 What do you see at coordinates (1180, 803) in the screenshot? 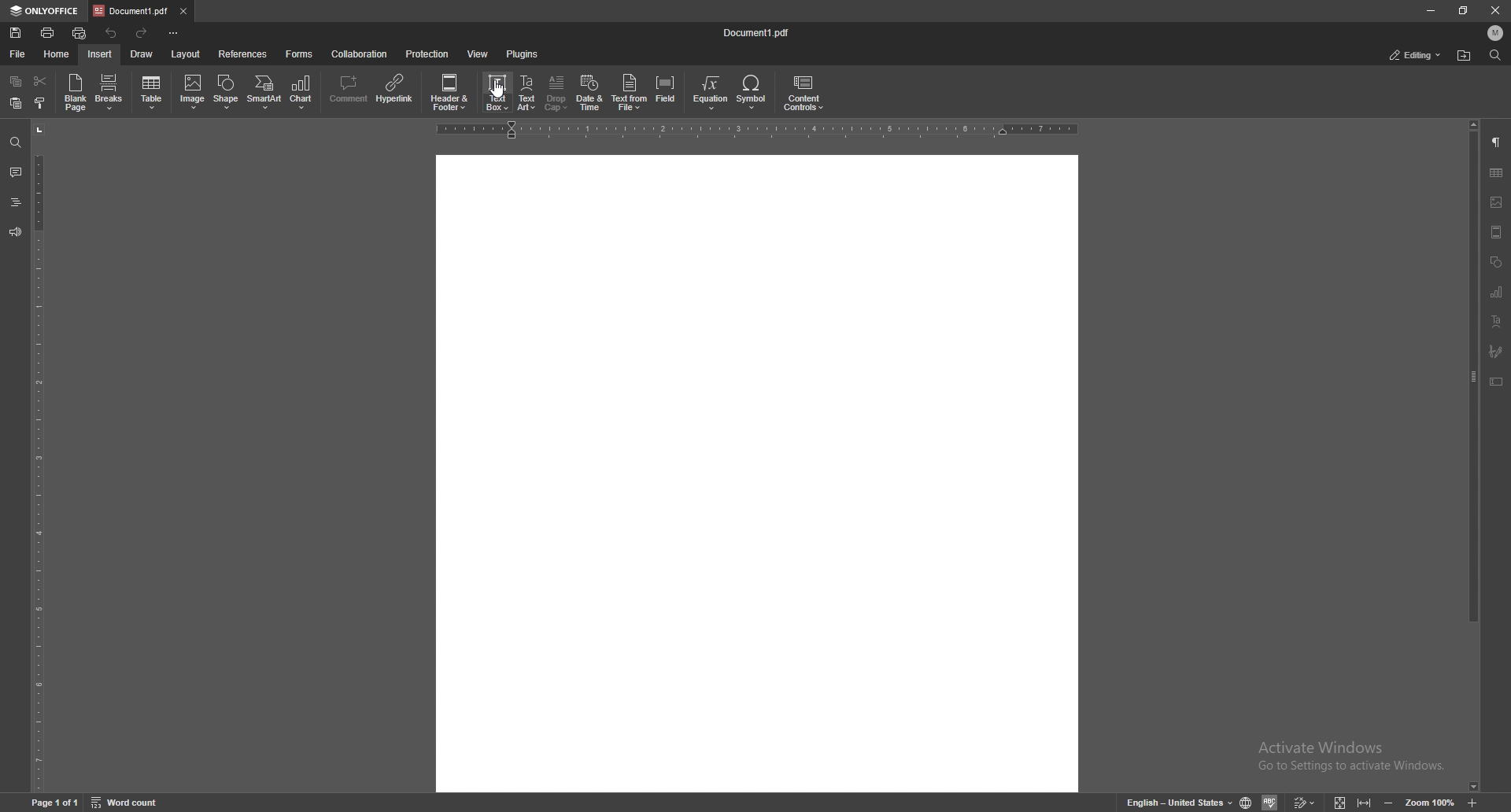
I see `english united states` at bounding box center [1180, 803].